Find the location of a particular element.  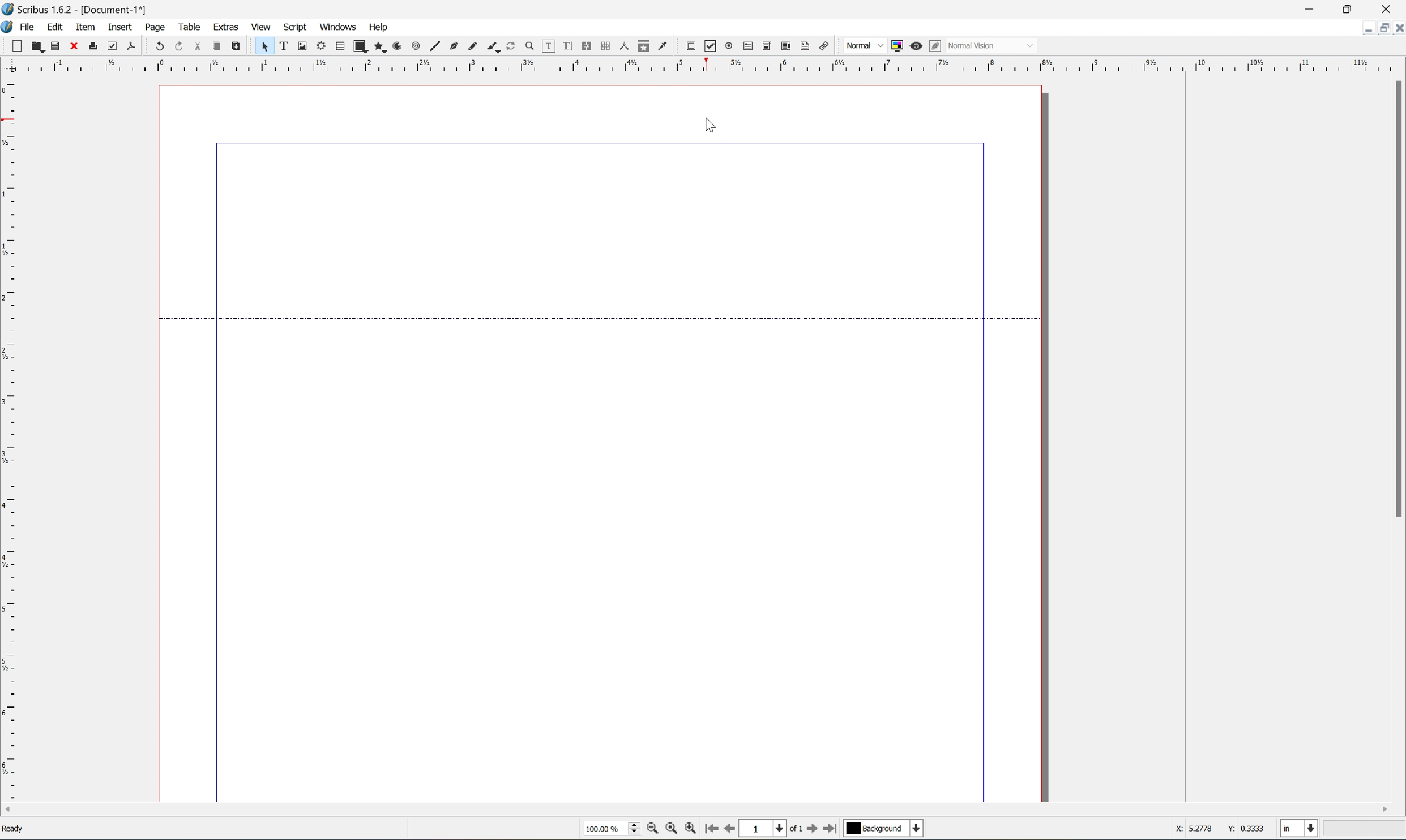

render frame is located at coordinates (322, 46).